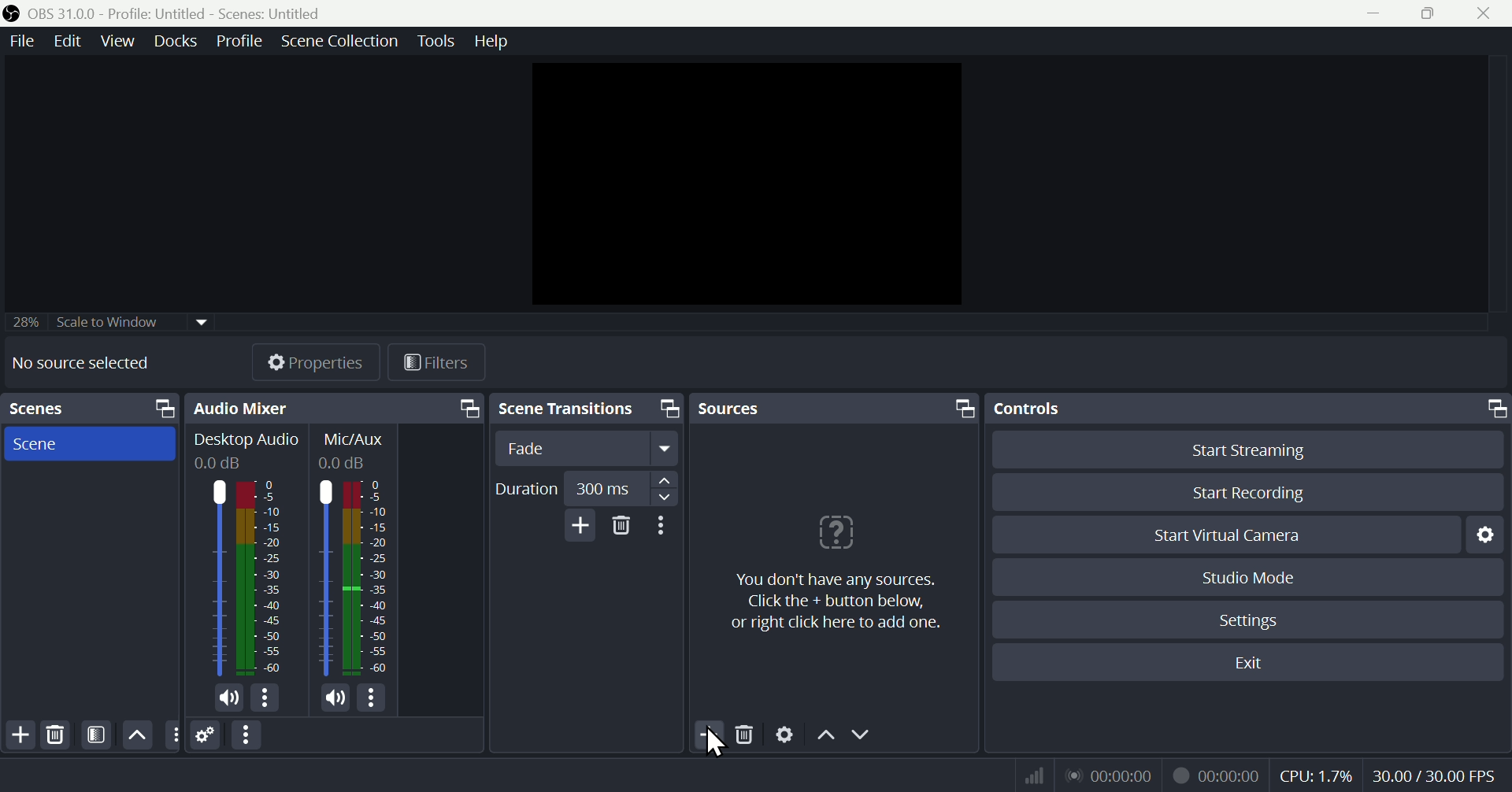 The image size is (1512, 792). Describe the element at coordinates (825, 738) in the screenshot. I see `Up` at that location.